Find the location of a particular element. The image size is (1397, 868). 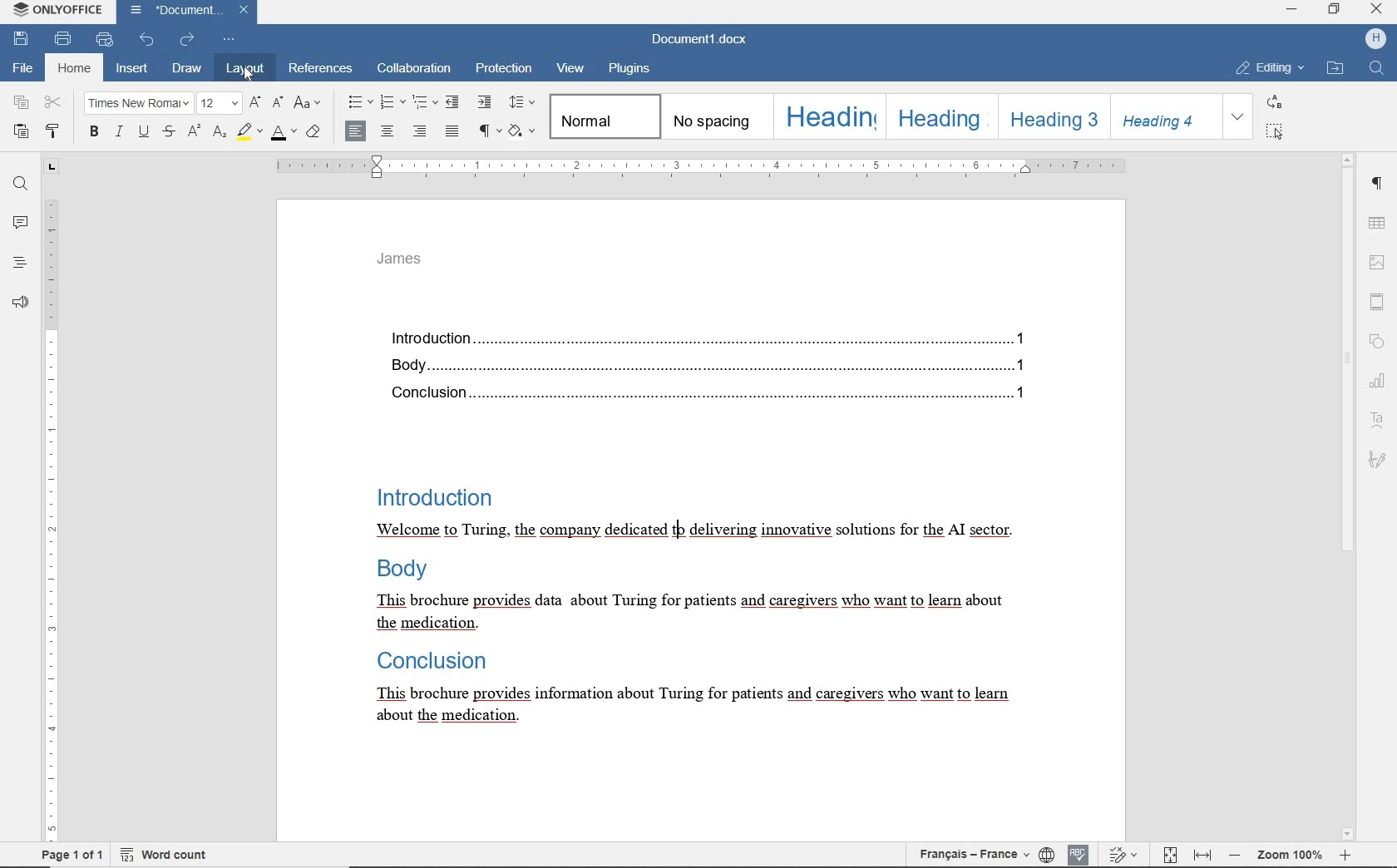

numbering is located at coordinates (392, 103).